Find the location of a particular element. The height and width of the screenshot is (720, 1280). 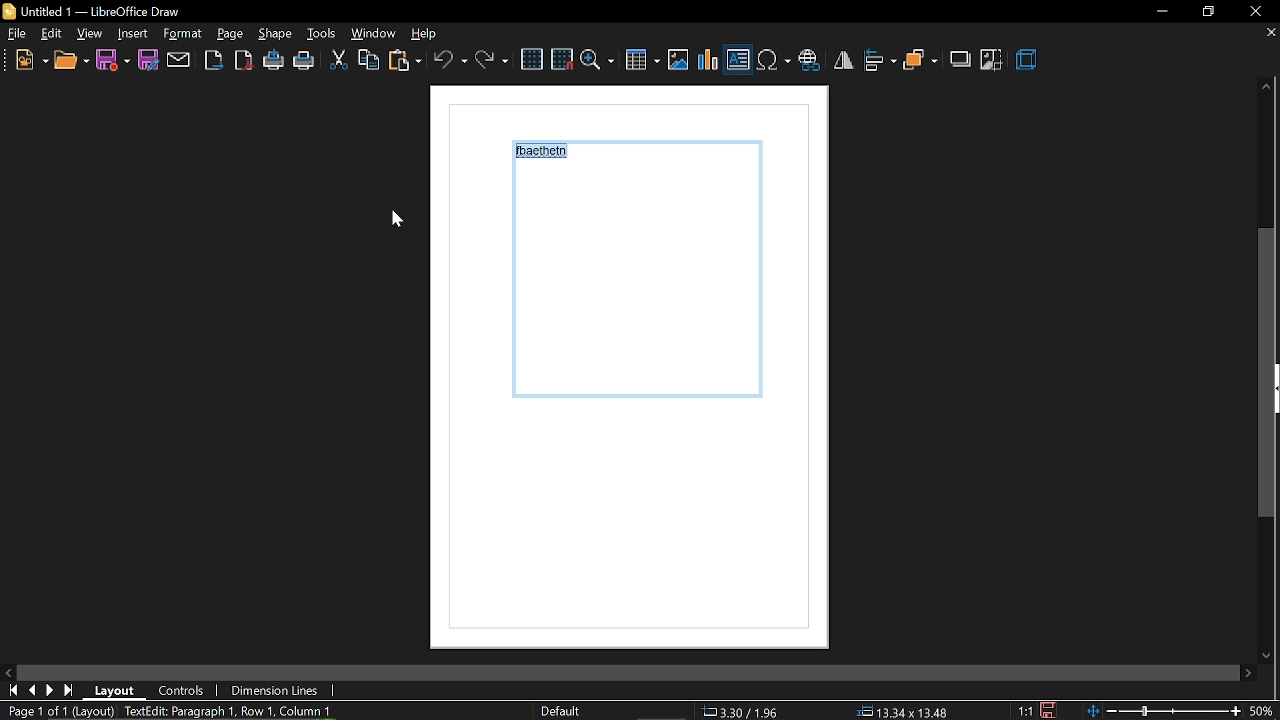

3d effect is located at coordinates (1028, 61).